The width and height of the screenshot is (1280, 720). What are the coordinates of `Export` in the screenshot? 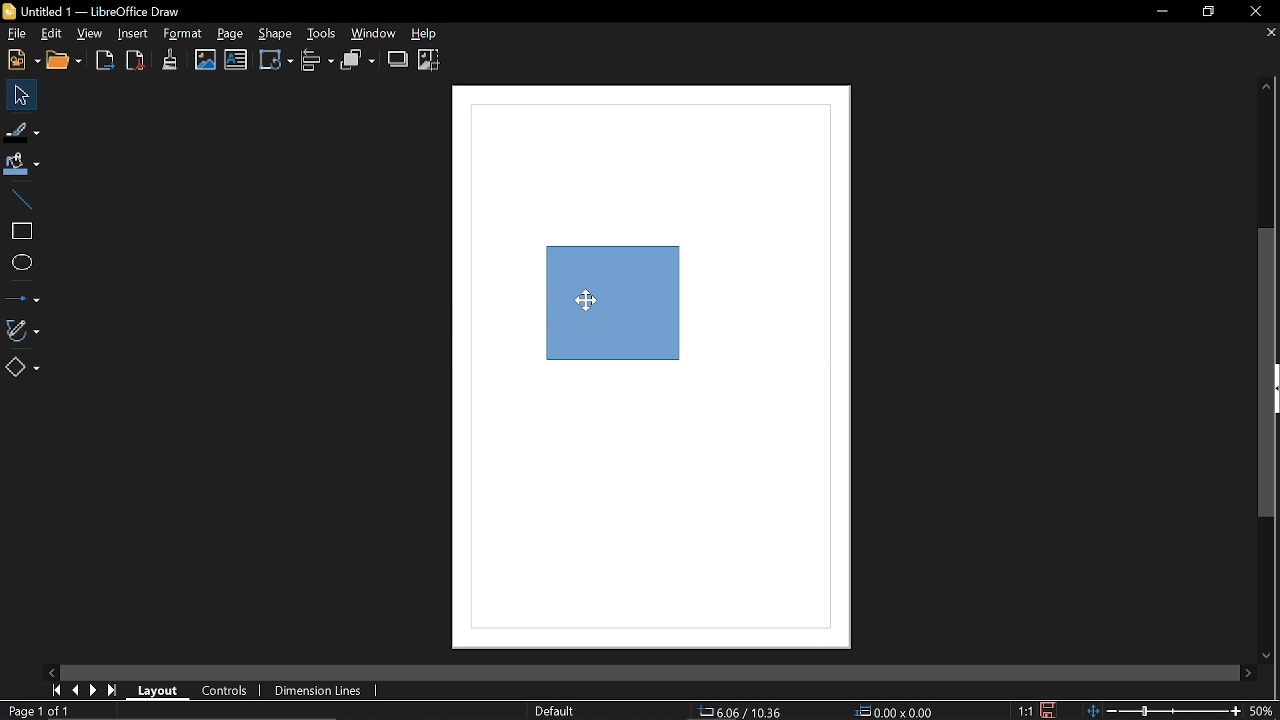 It's located at (104, 62).